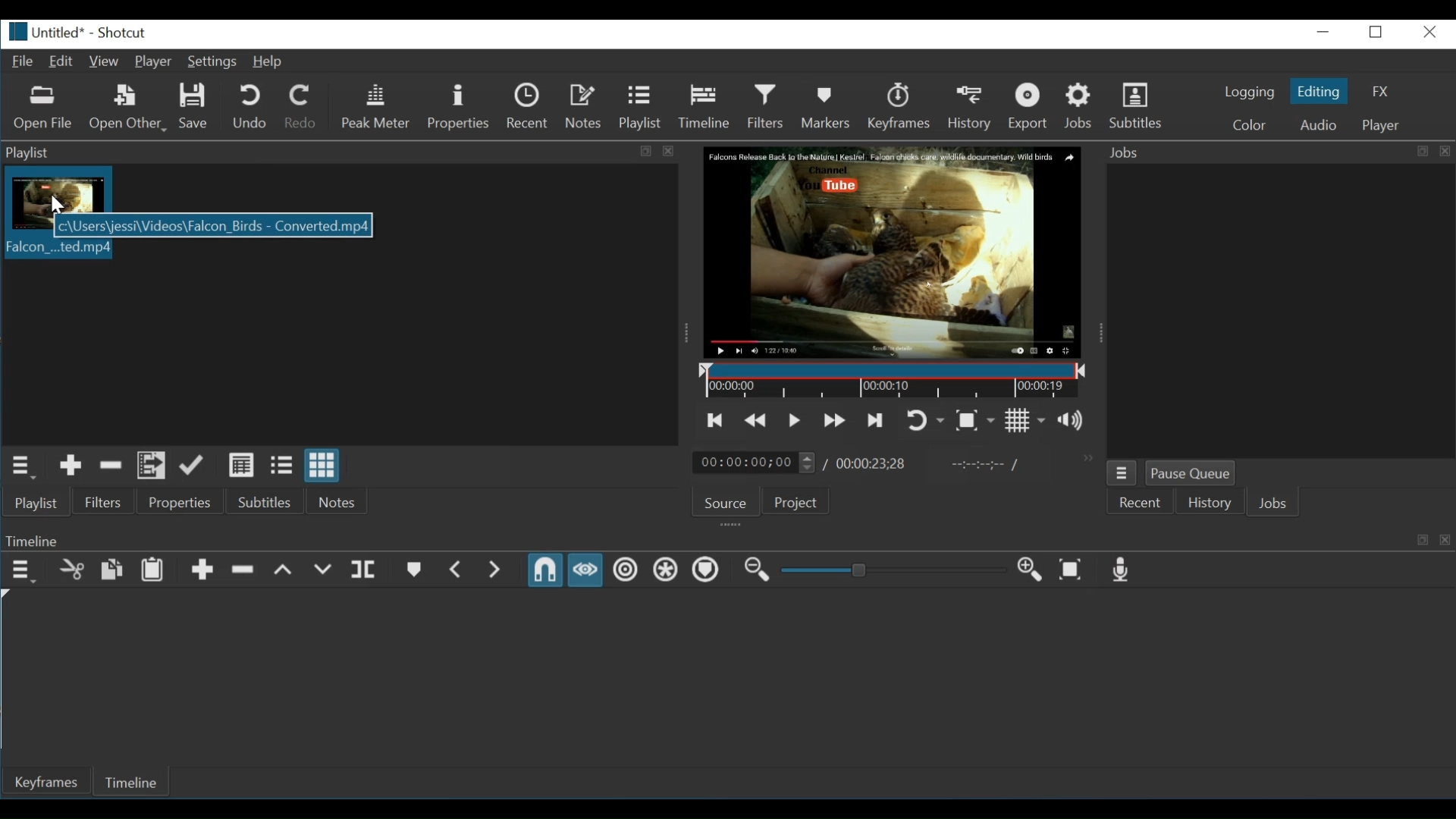 This screenshot has width=1456, height=819. I want to click on Scrub while dragging, so click(585, 570).